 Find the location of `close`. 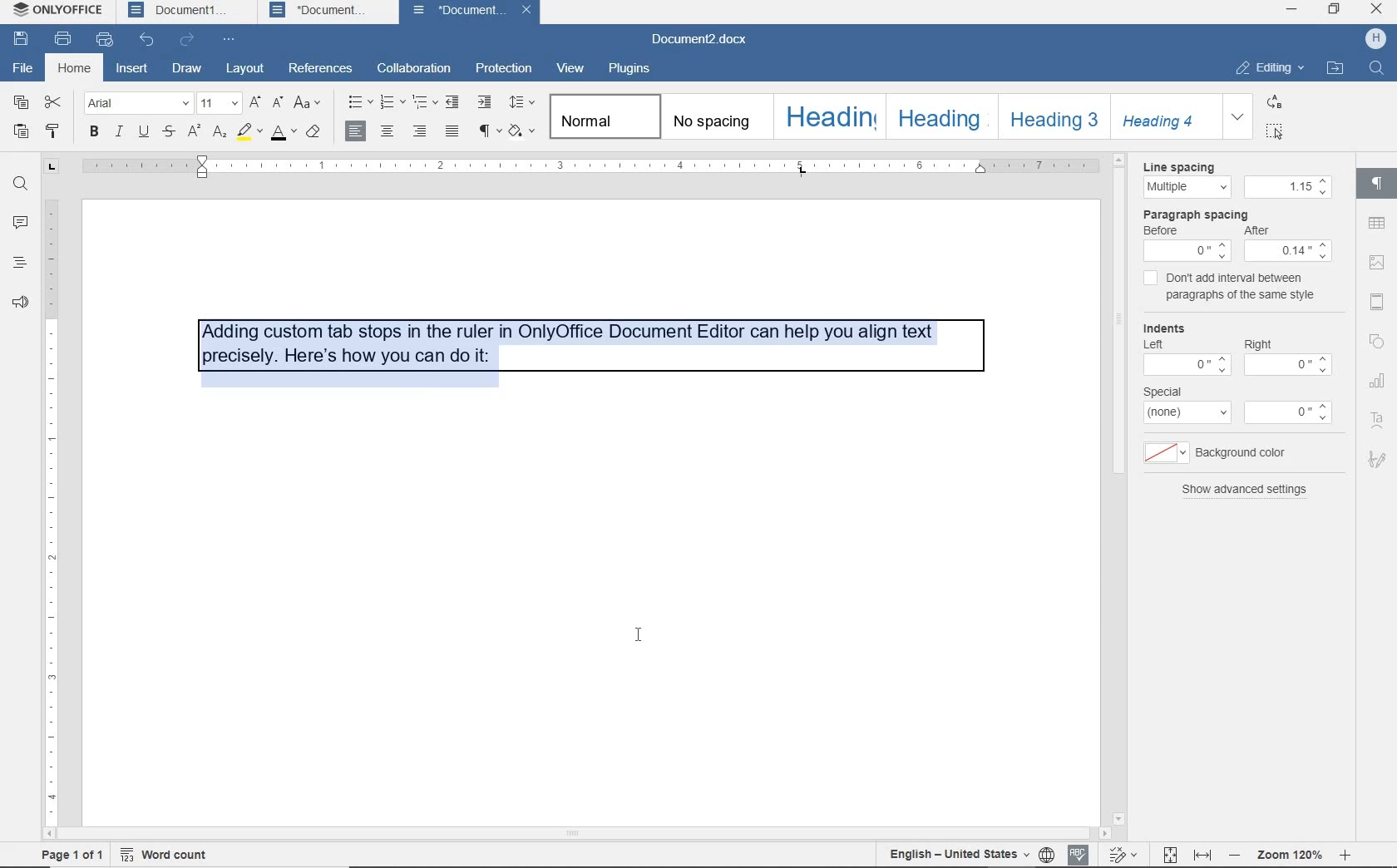

close is located at coordinates (1376, 10).